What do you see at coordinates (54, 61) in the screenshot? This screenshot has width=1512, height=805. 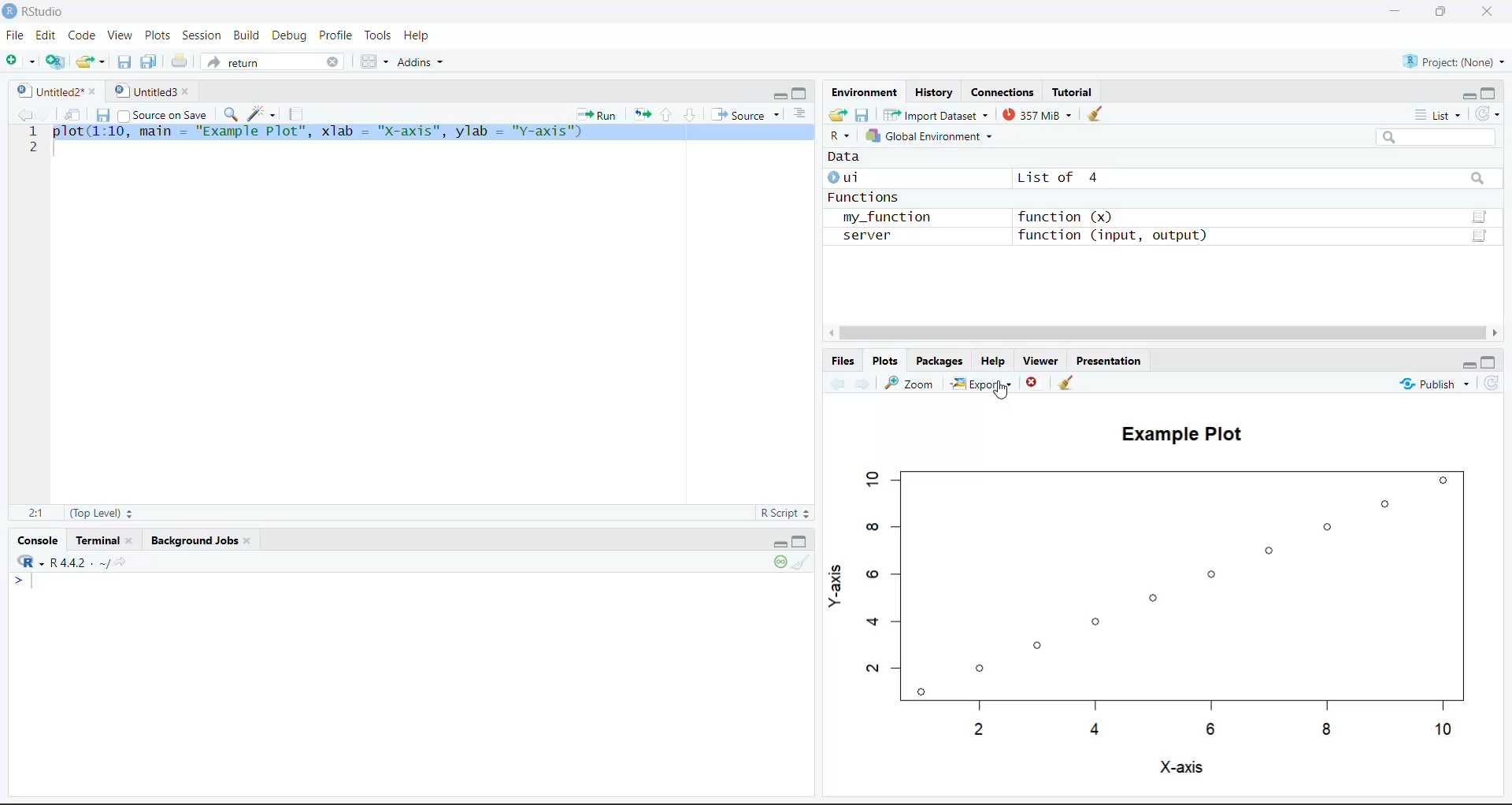 I see `Create a project` at bounding box center [54, 61].